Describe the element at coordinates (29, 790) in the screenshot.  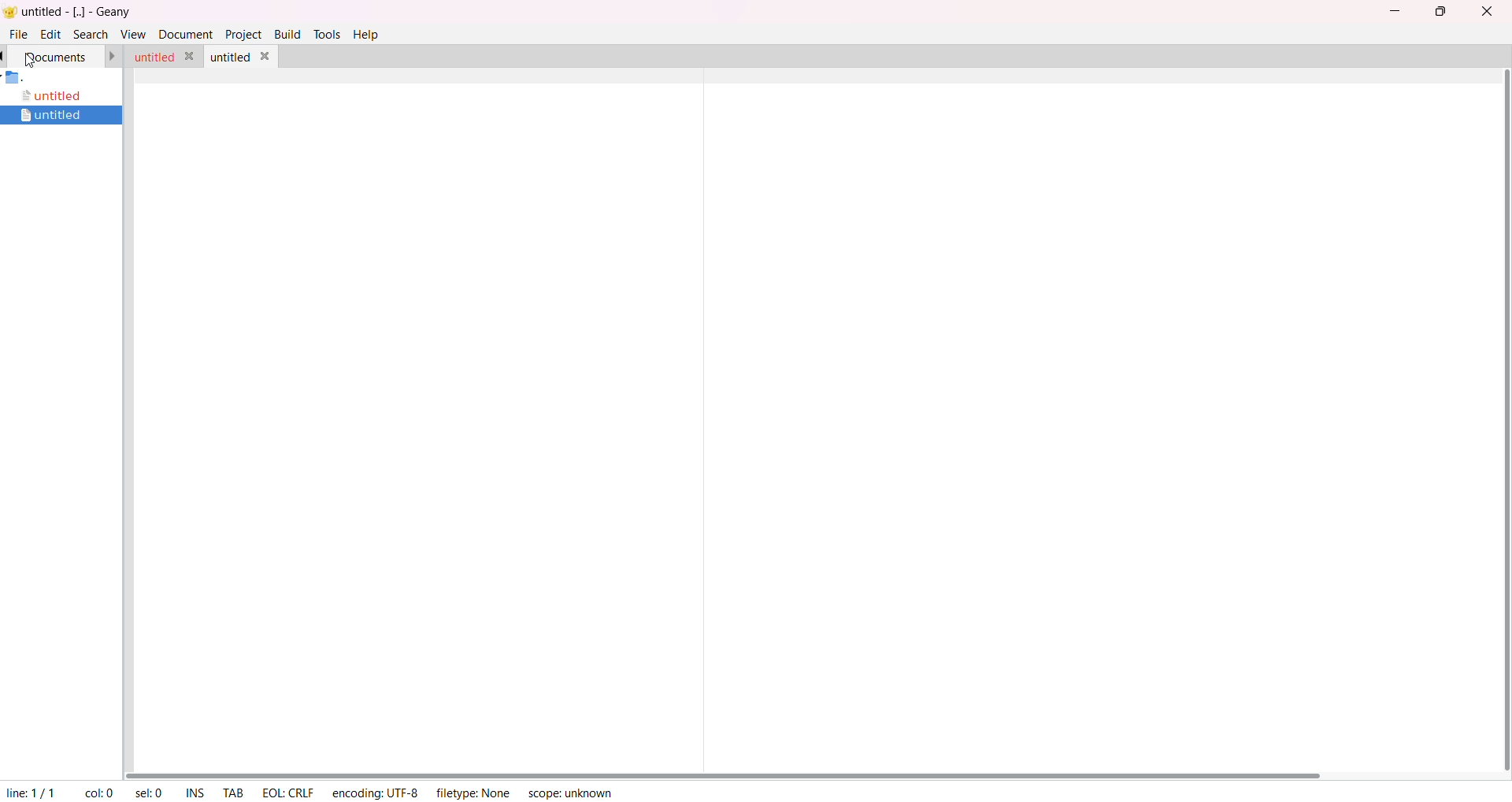
I see `line 1/1` at that location.